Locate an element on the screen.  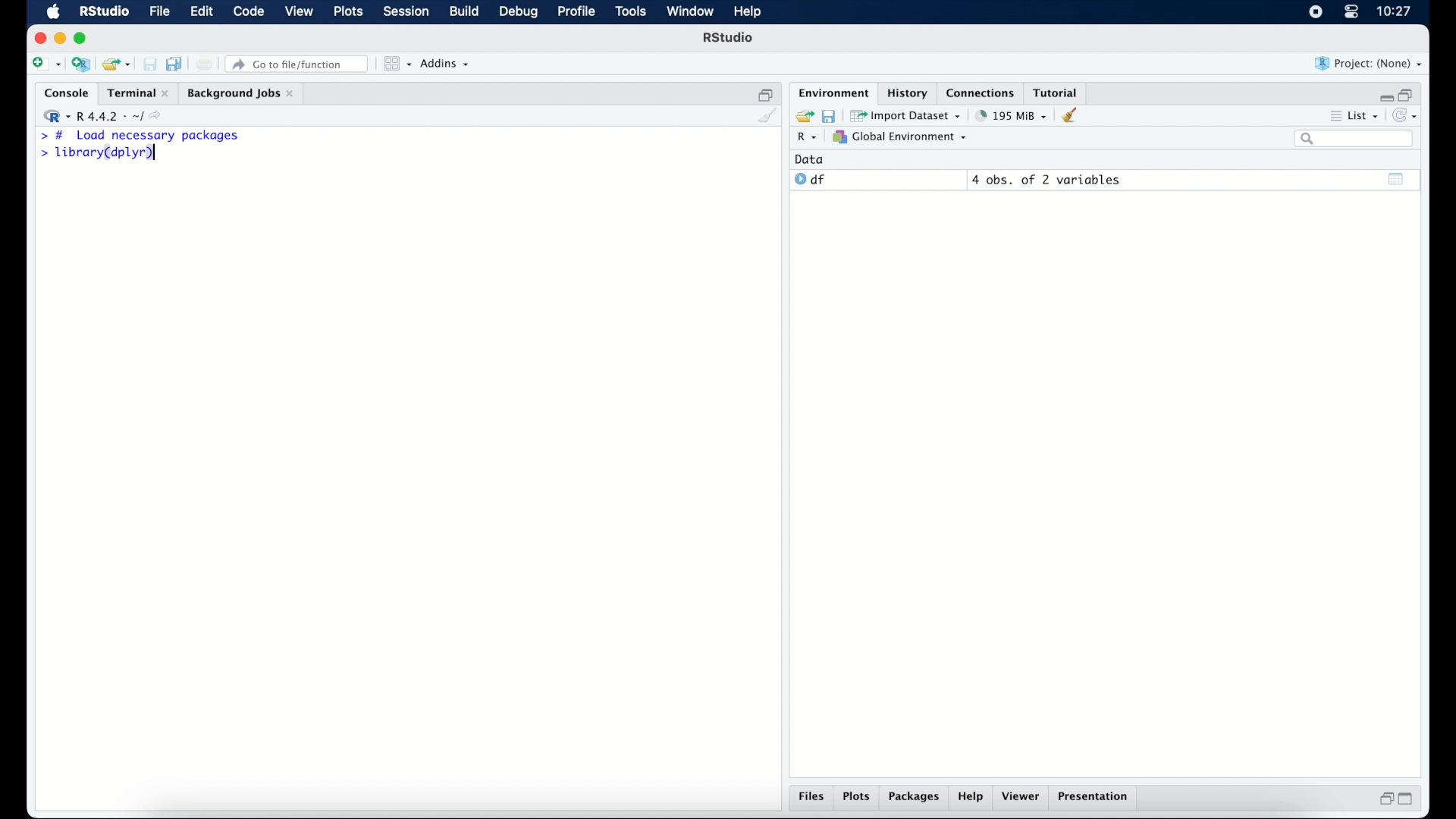
restore down is located at coordinates (1384, 800).